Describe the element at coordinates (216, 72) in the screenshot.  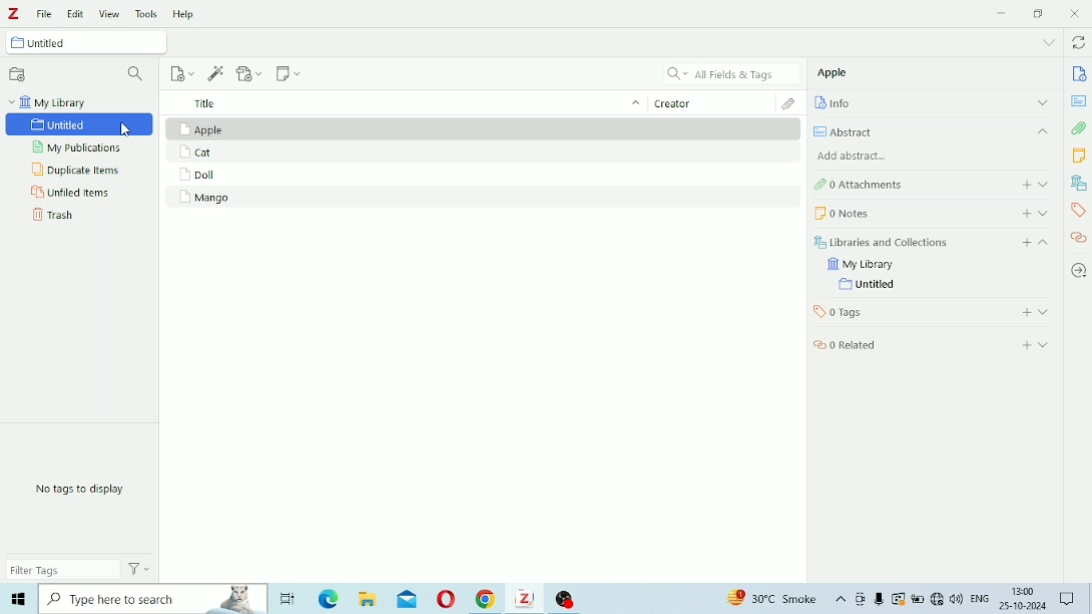
I see `Add Item (s) by Identifier` at that location.